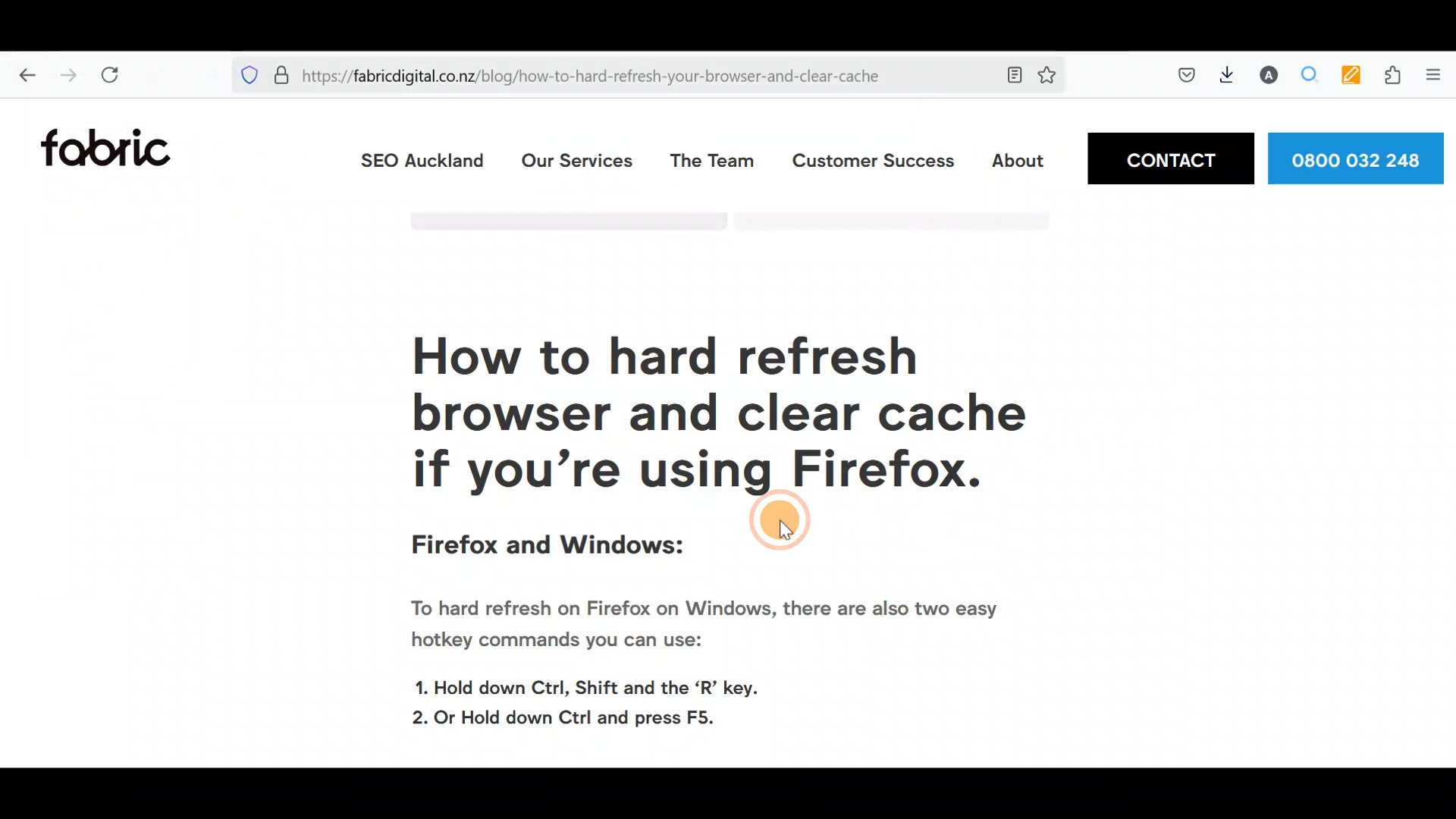  I want to click on Go forward one page, so click(65, 76).